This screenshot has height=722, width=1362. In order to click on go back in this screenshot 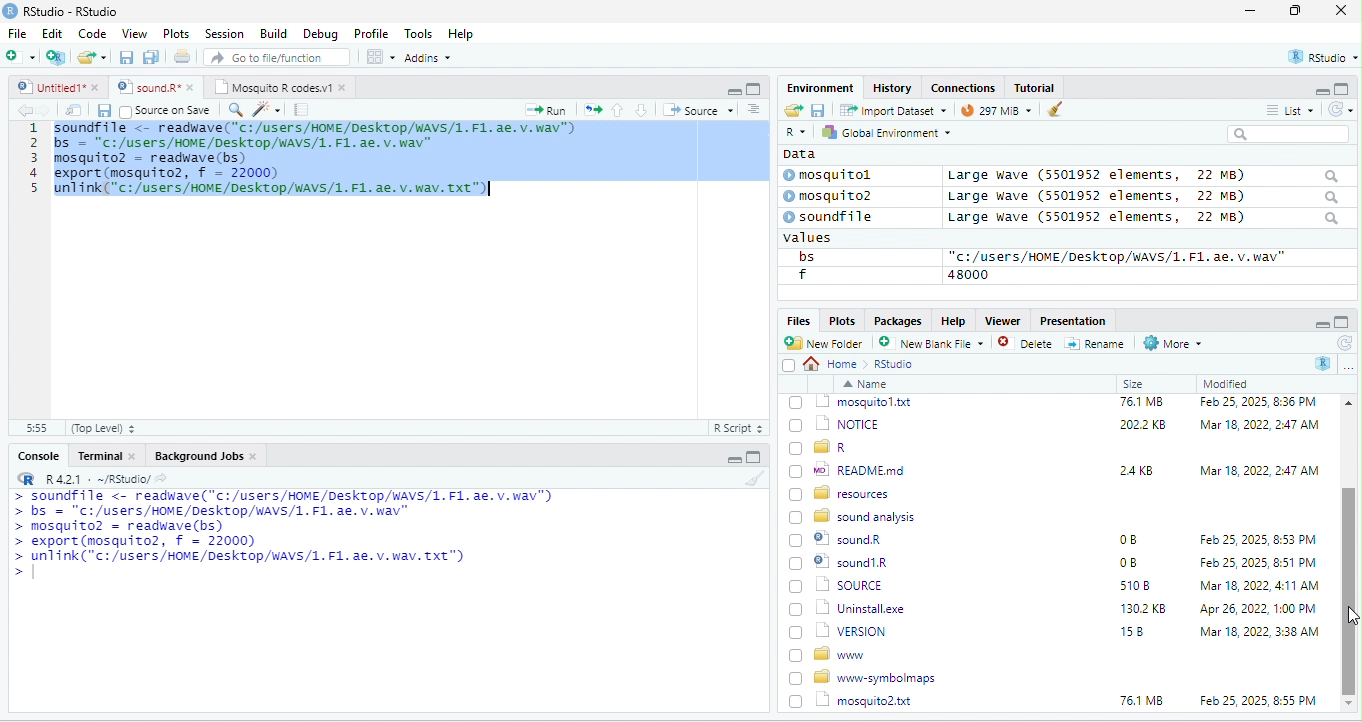, I will do `click(837, 404)`.